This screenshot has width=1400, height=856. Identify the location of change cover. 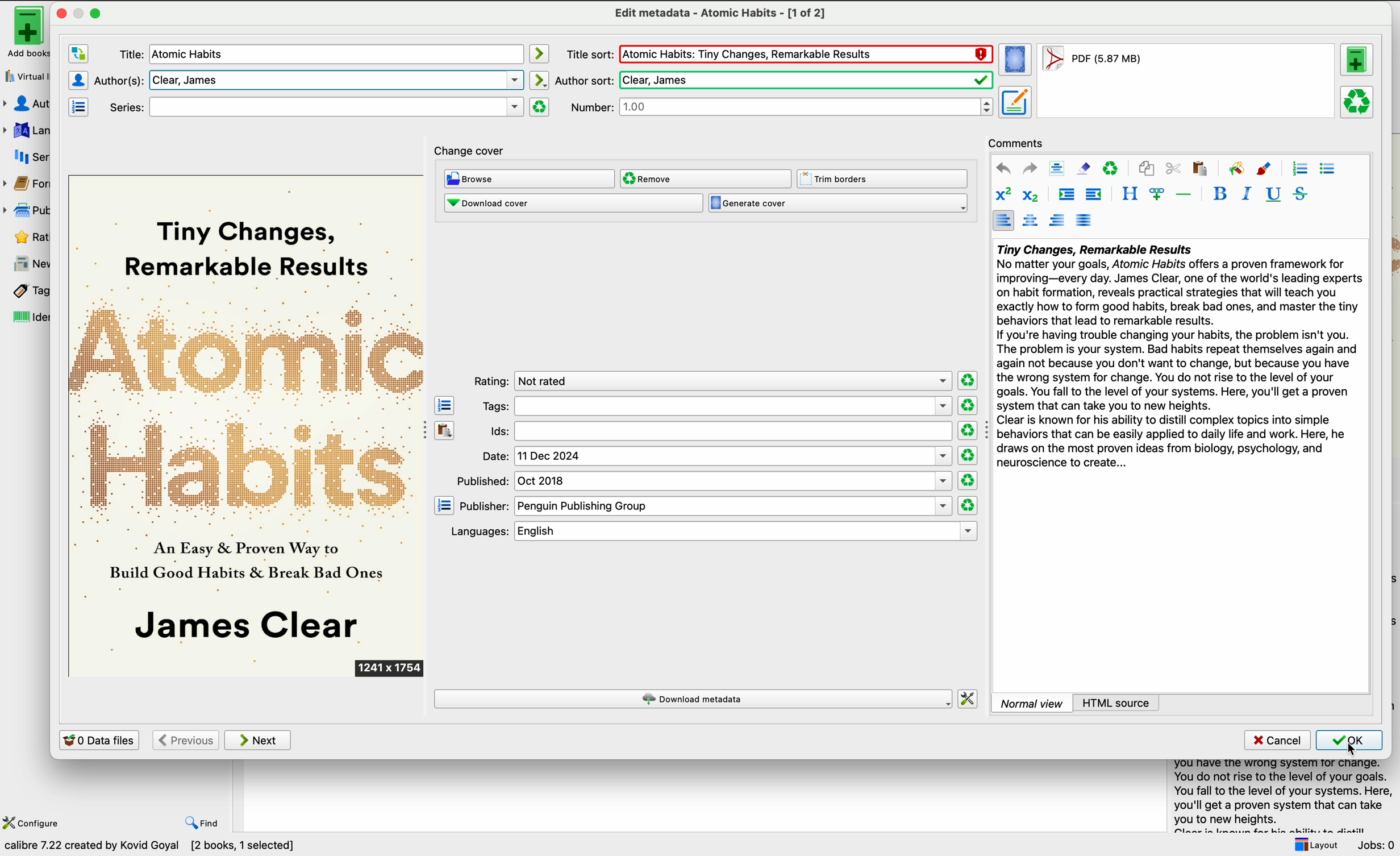
(472, 148).